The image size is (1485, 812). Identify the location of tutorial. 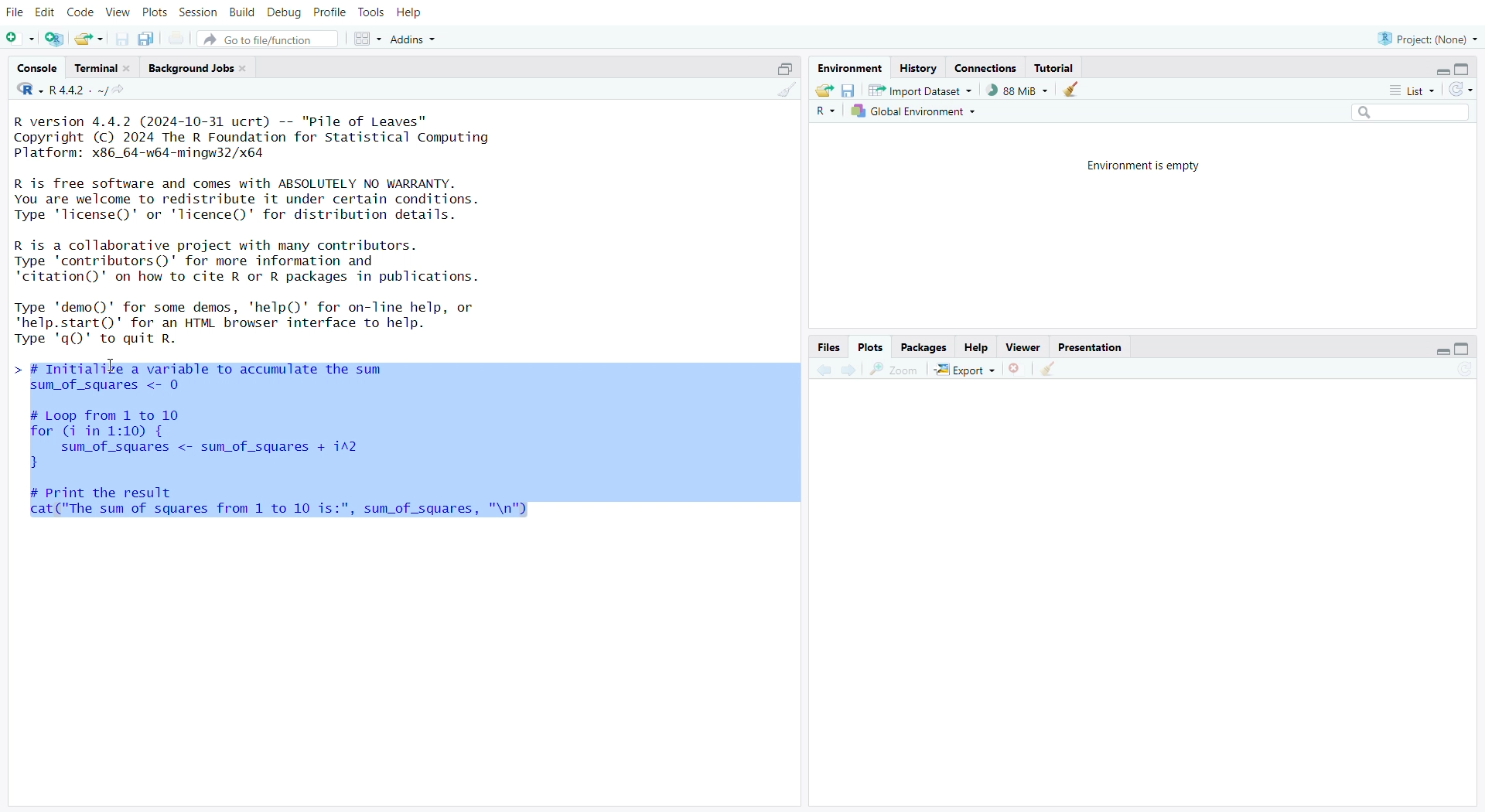
(1056, 69).